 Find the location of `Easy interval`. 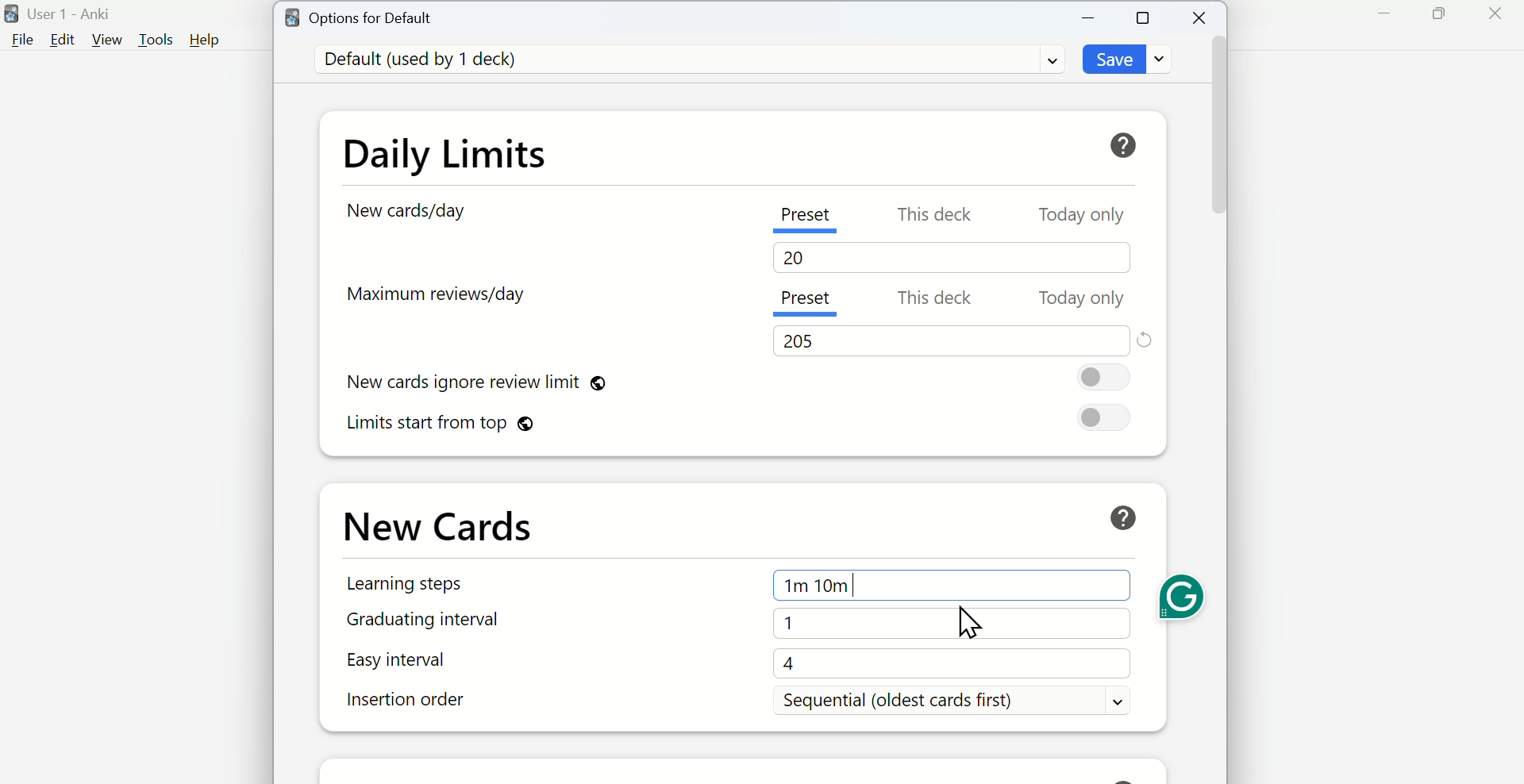

Easy interval is located at coordinates (415, 663).